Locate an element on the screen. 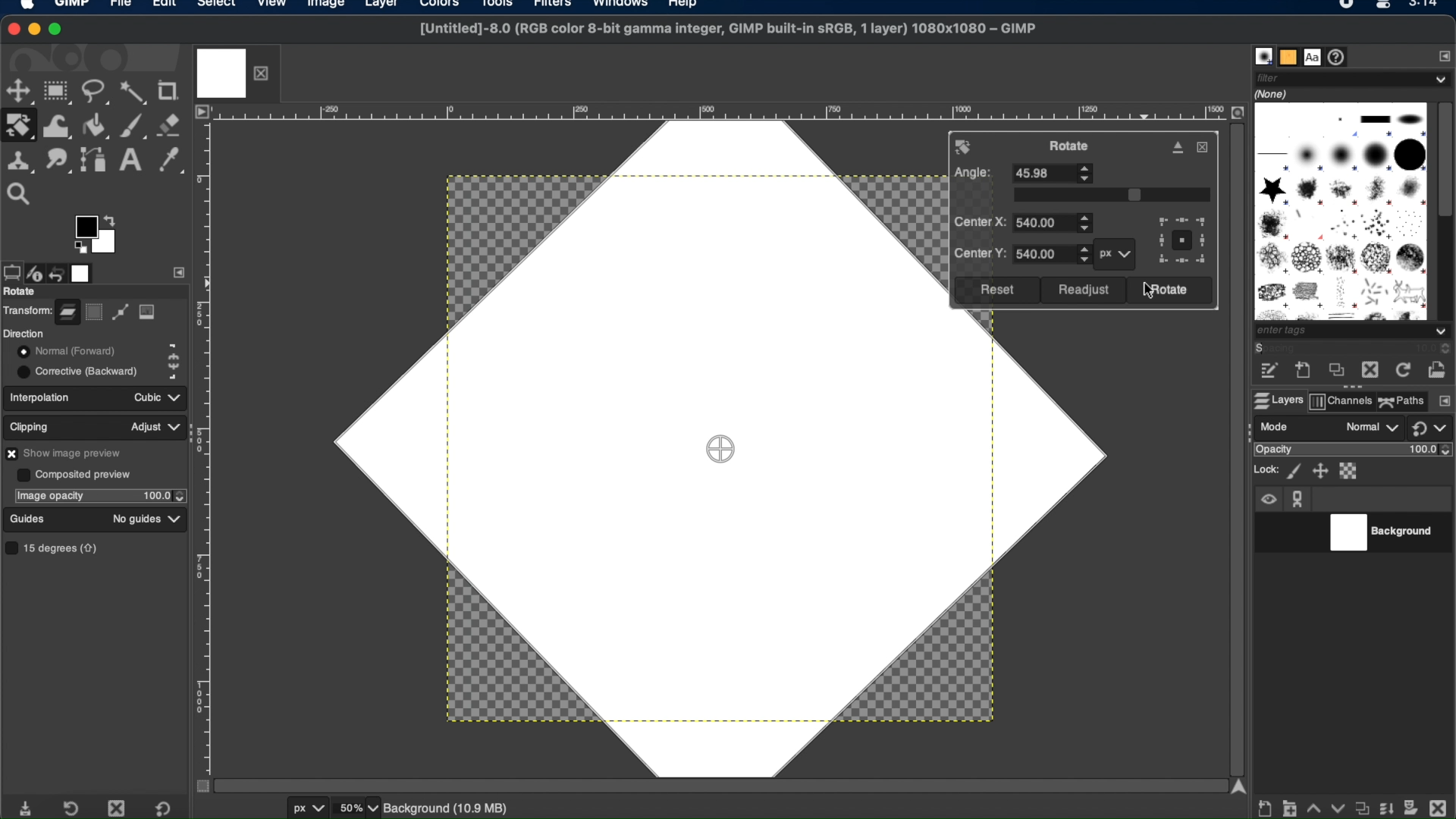 This screenshot has height=819, width=1456. eraser tool is located at coordinates (171, 125).